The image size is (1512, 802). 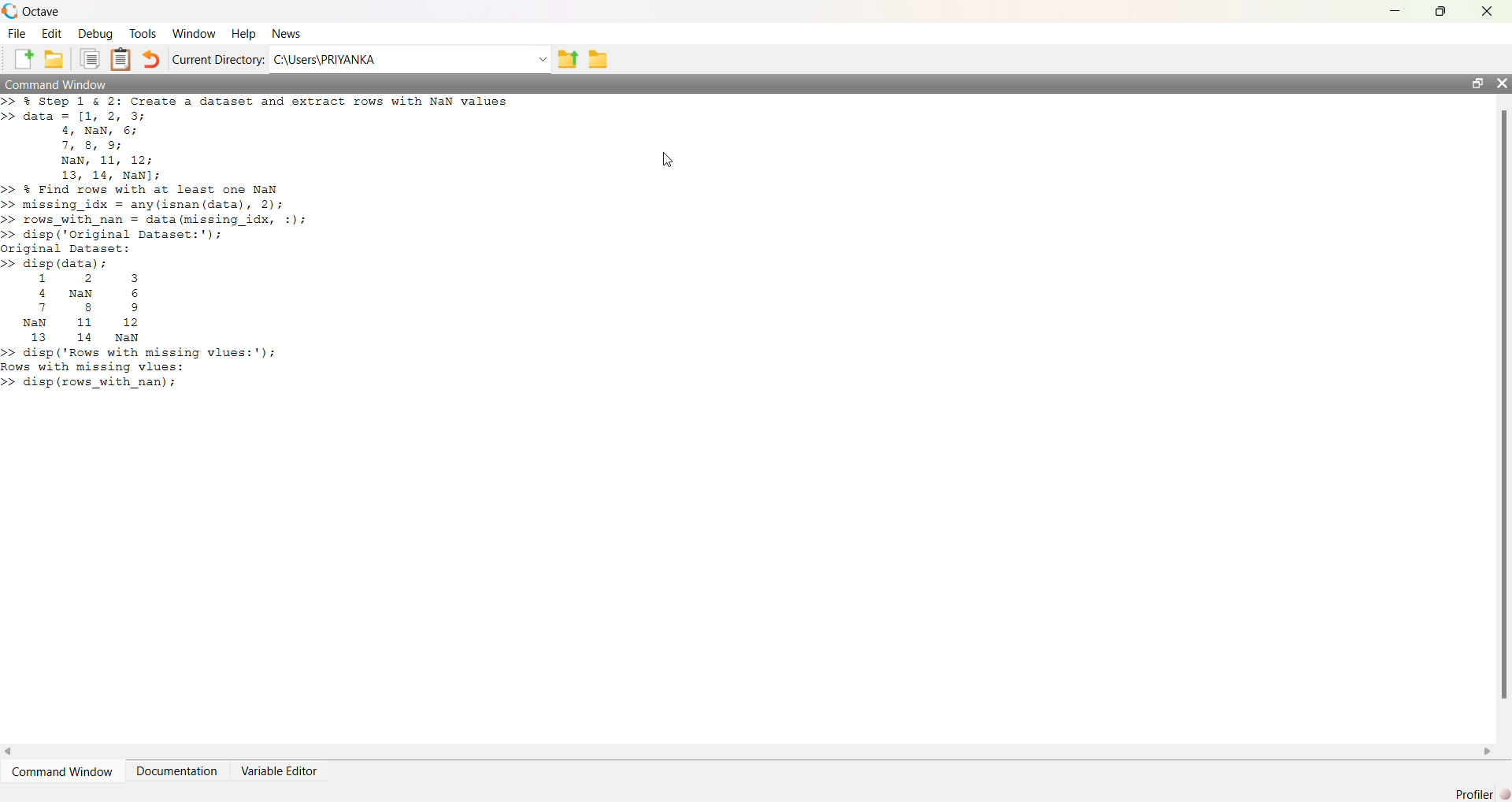 What do you see at coordinates (1441, 10) in the screenshot?
I see `maximize` at bounding box center [1441, 10].